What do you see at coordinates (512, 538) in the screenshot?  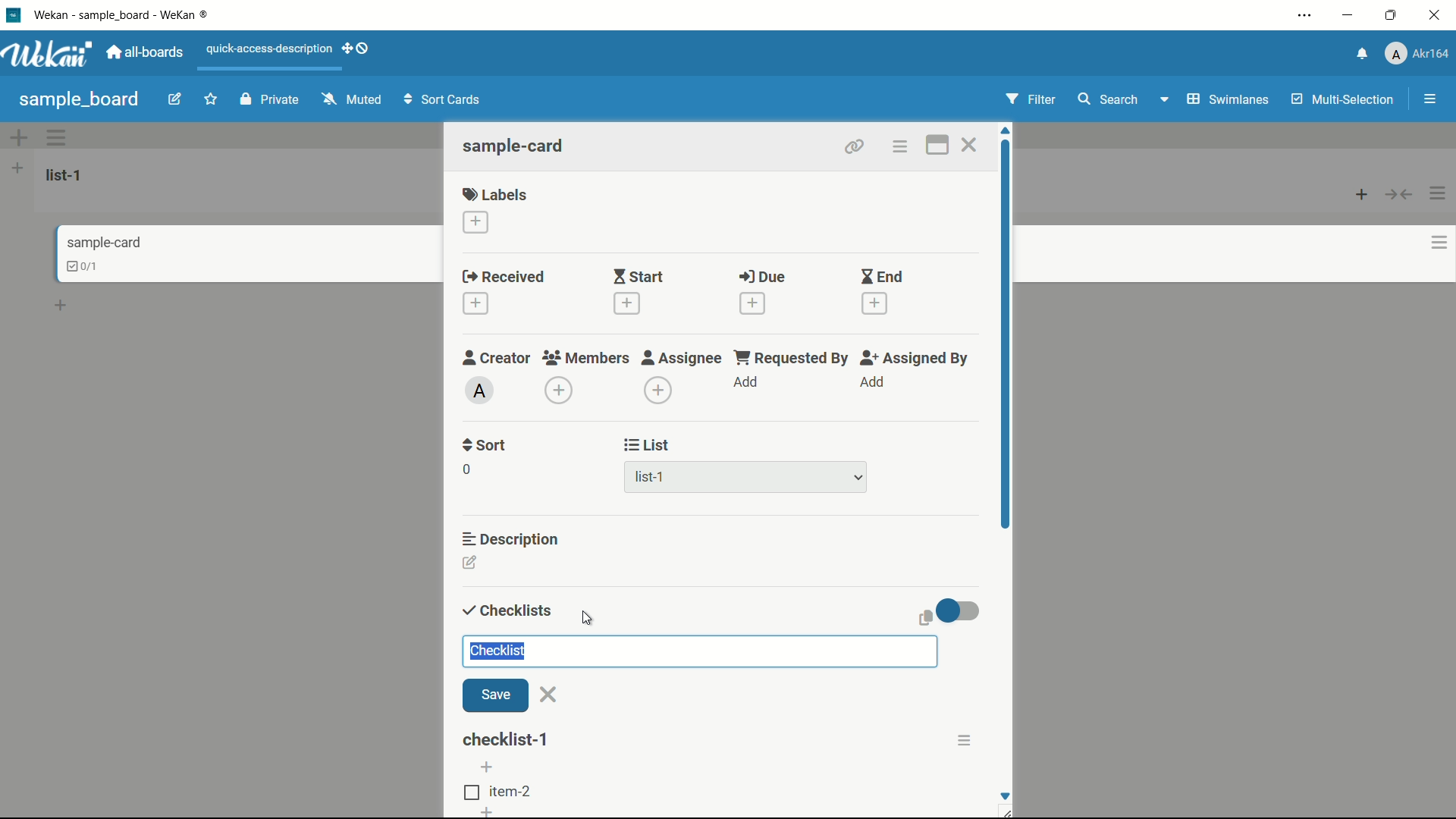 I see `description` at bounding box center [512, 538].